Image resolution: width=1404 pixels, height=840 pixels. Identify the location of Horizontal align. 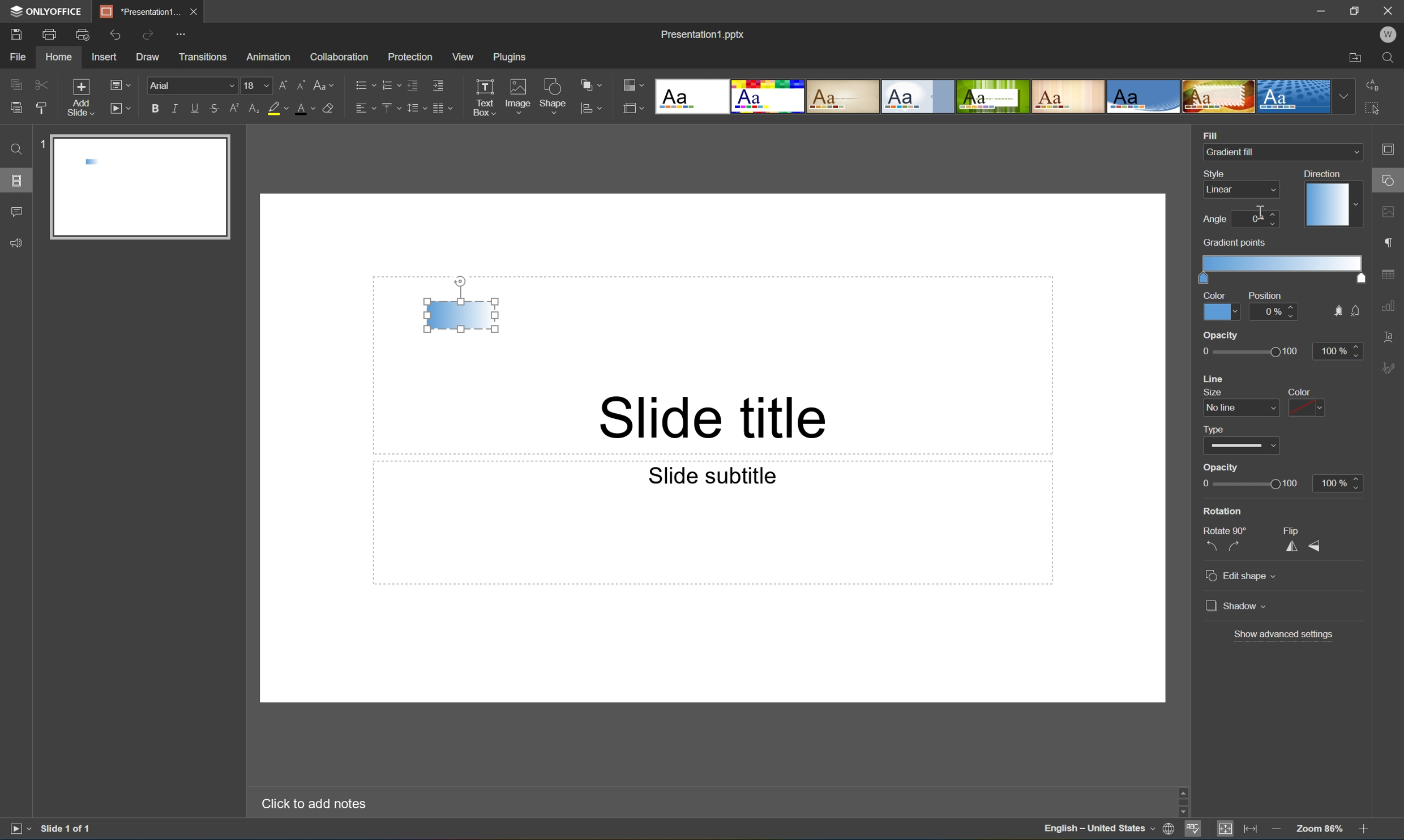
(365, 109).